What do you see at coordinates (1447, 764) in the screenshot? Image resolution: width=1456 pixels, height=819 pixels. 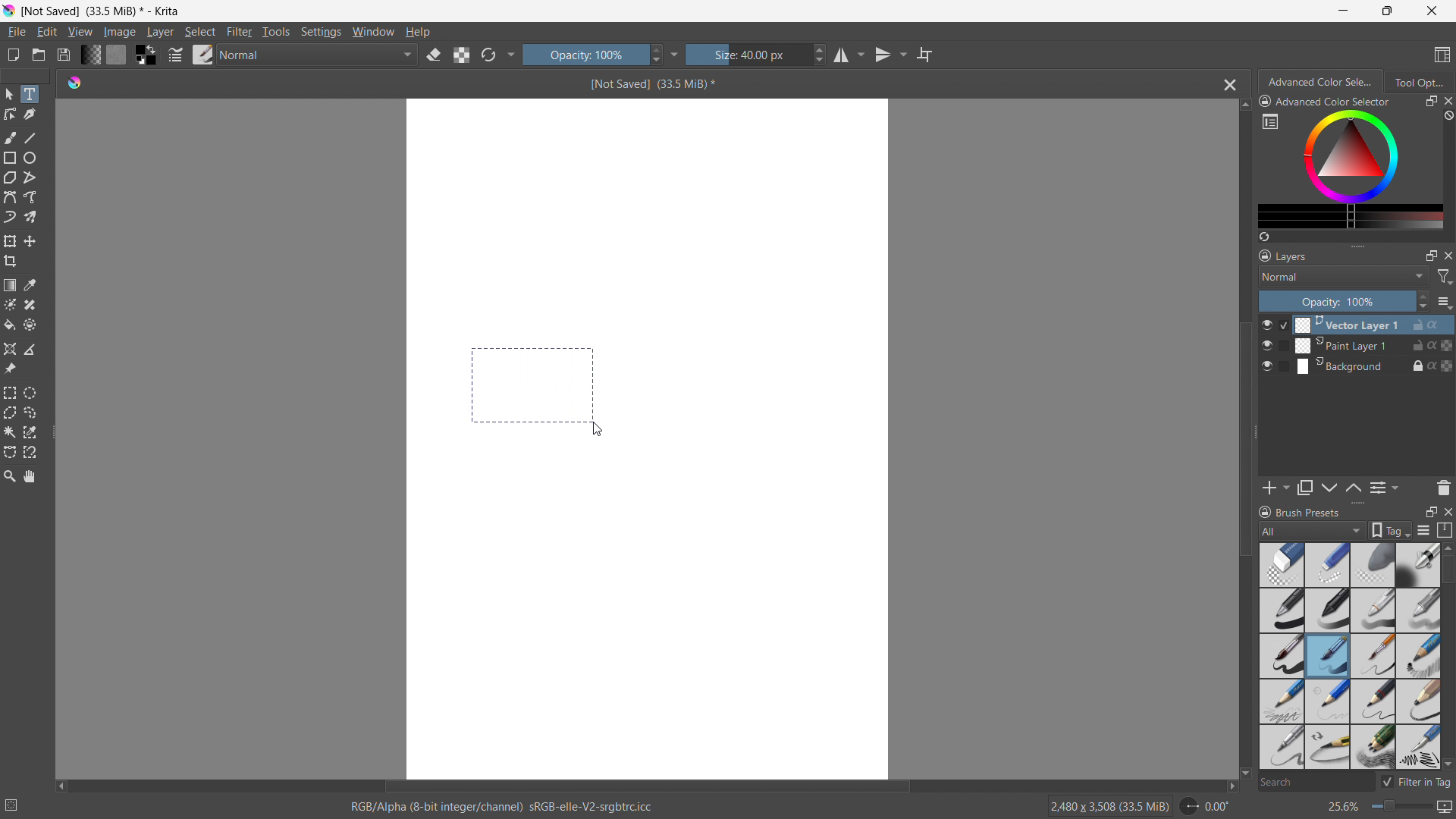 I see `scroll down` at bounding box center [1447, 764].